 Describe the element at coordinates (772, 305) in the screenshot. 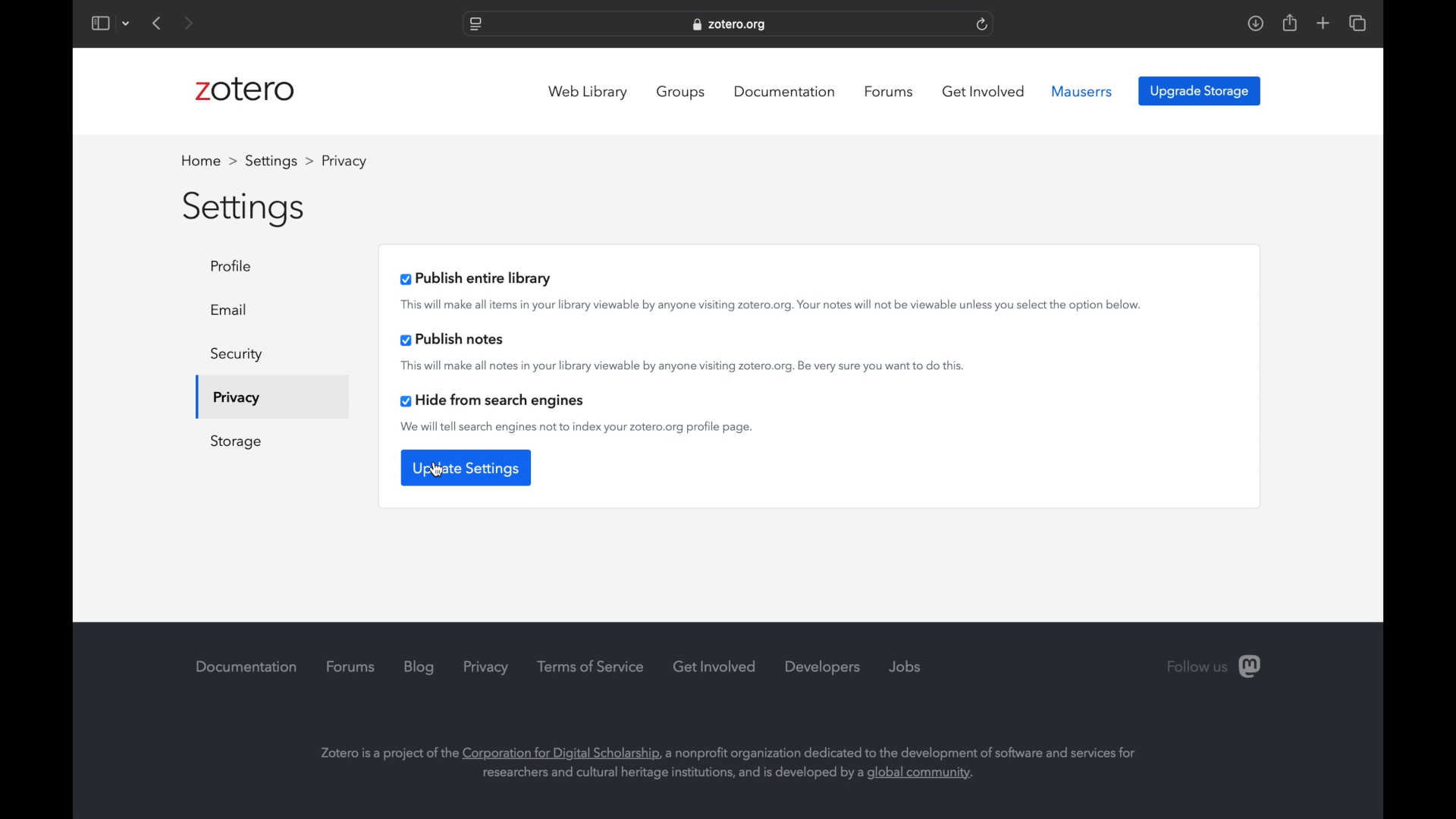

I see `‘This will make all items in your library viewable by anyone visiting zotero.org. Your notes will not be viewable unless you select the option below.` at that location.